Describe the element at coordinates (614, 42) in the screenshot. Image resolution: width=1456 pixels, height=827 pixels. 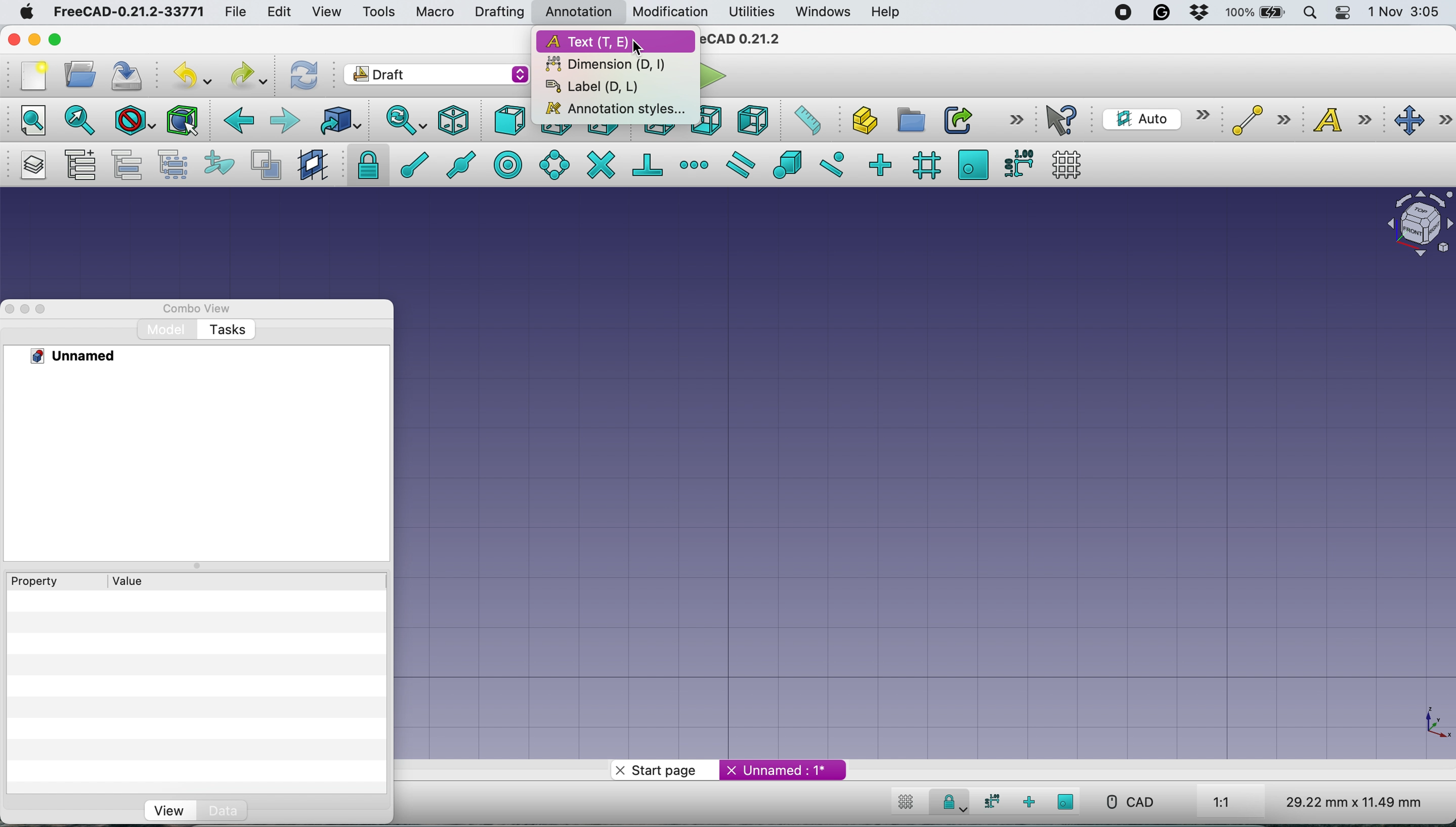
I see `text` at that location.